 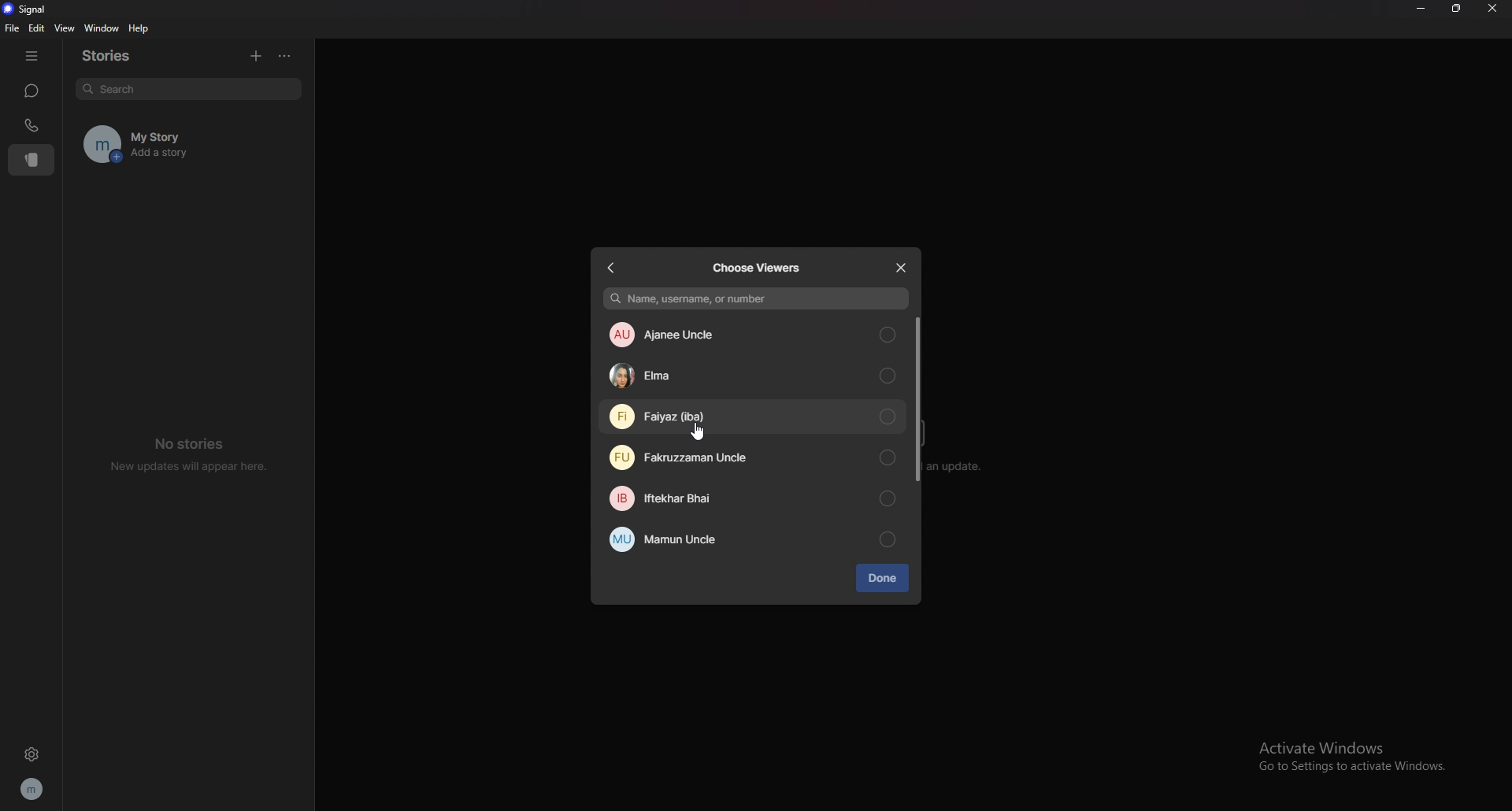 I want to click on mamun uncle, so click(x=752, y=538).